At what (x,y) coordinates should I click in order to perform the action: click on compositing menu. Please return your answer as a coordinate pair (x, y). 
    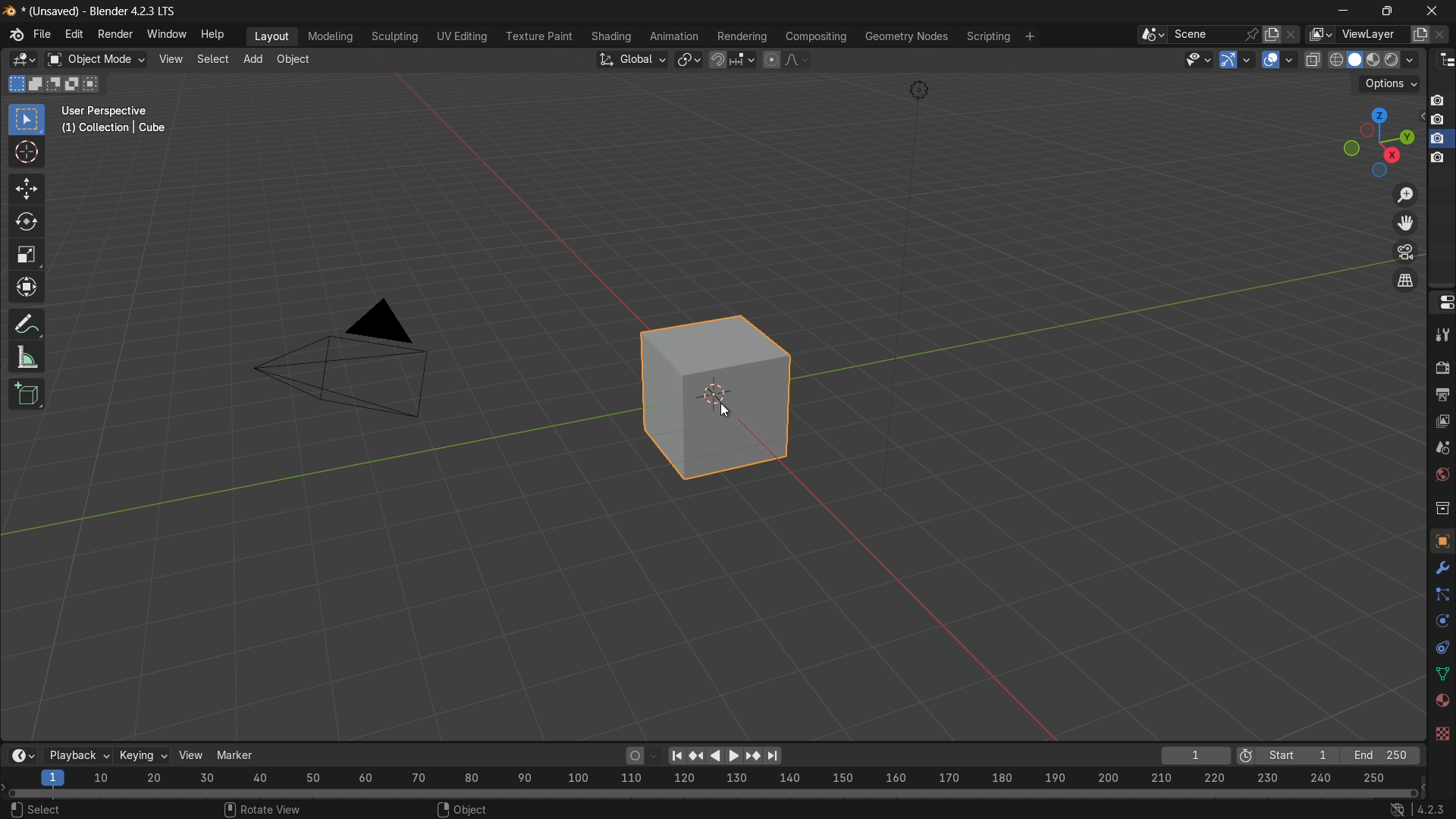
    Looking at the image, I should click on (815, 36).